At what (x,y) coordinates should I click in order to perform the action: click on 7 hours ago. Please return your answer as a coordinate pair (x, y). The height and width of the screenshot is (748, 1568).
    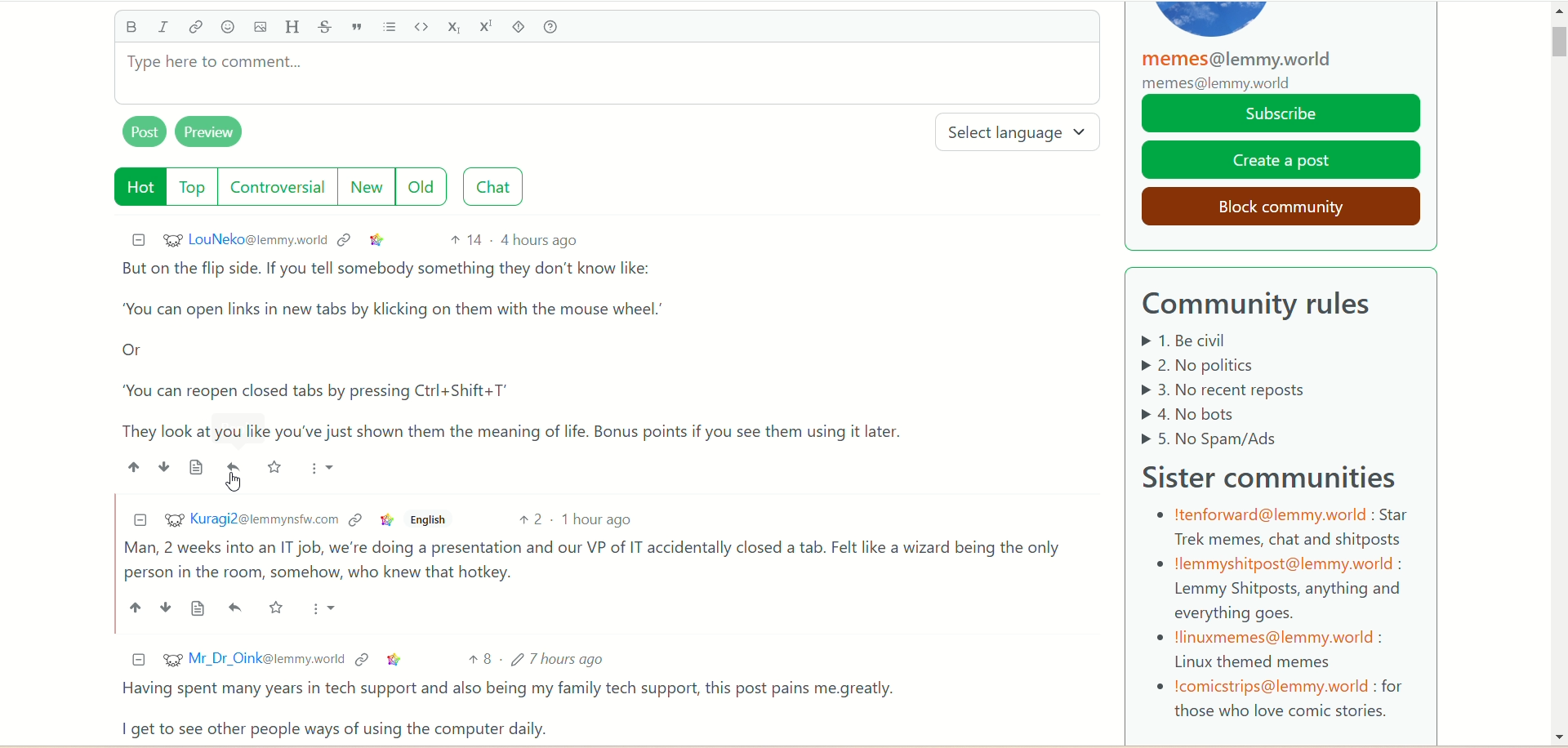
    Looking at the image, I should click on (567, 661).